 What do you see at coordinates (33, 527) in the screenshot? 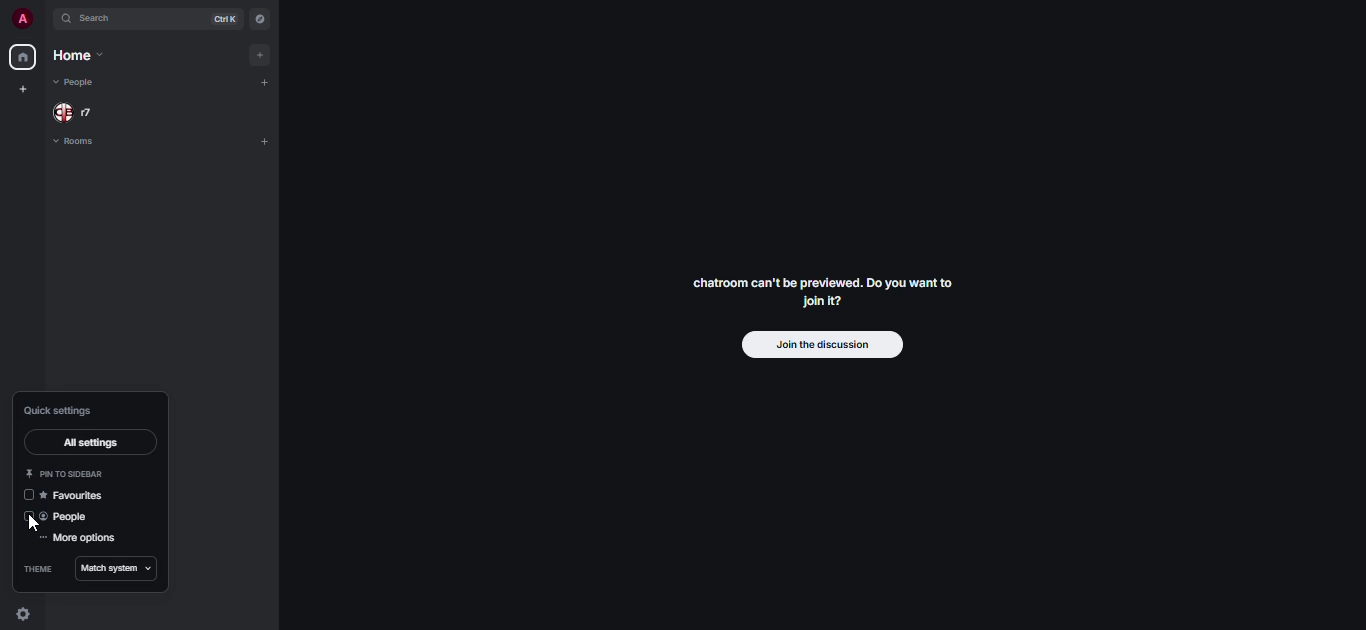
I see `cursor` at bounding box center [33, 527].